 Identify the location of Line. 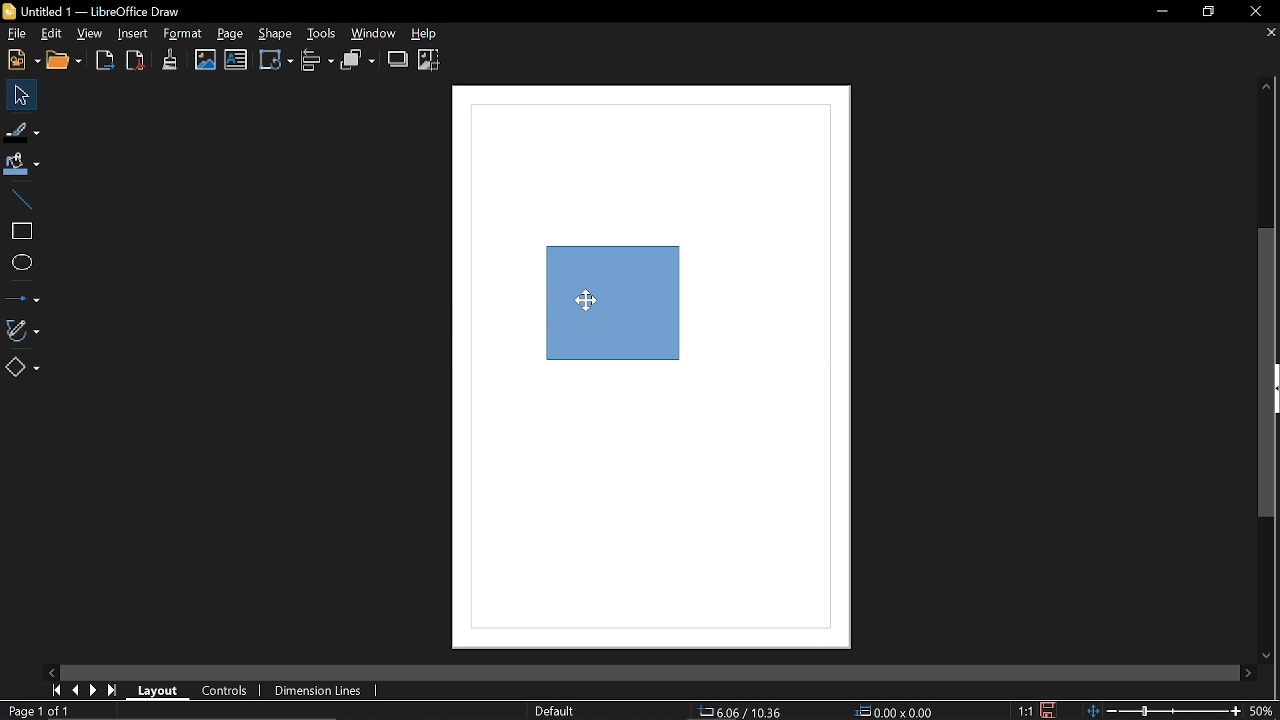
(22, 195).